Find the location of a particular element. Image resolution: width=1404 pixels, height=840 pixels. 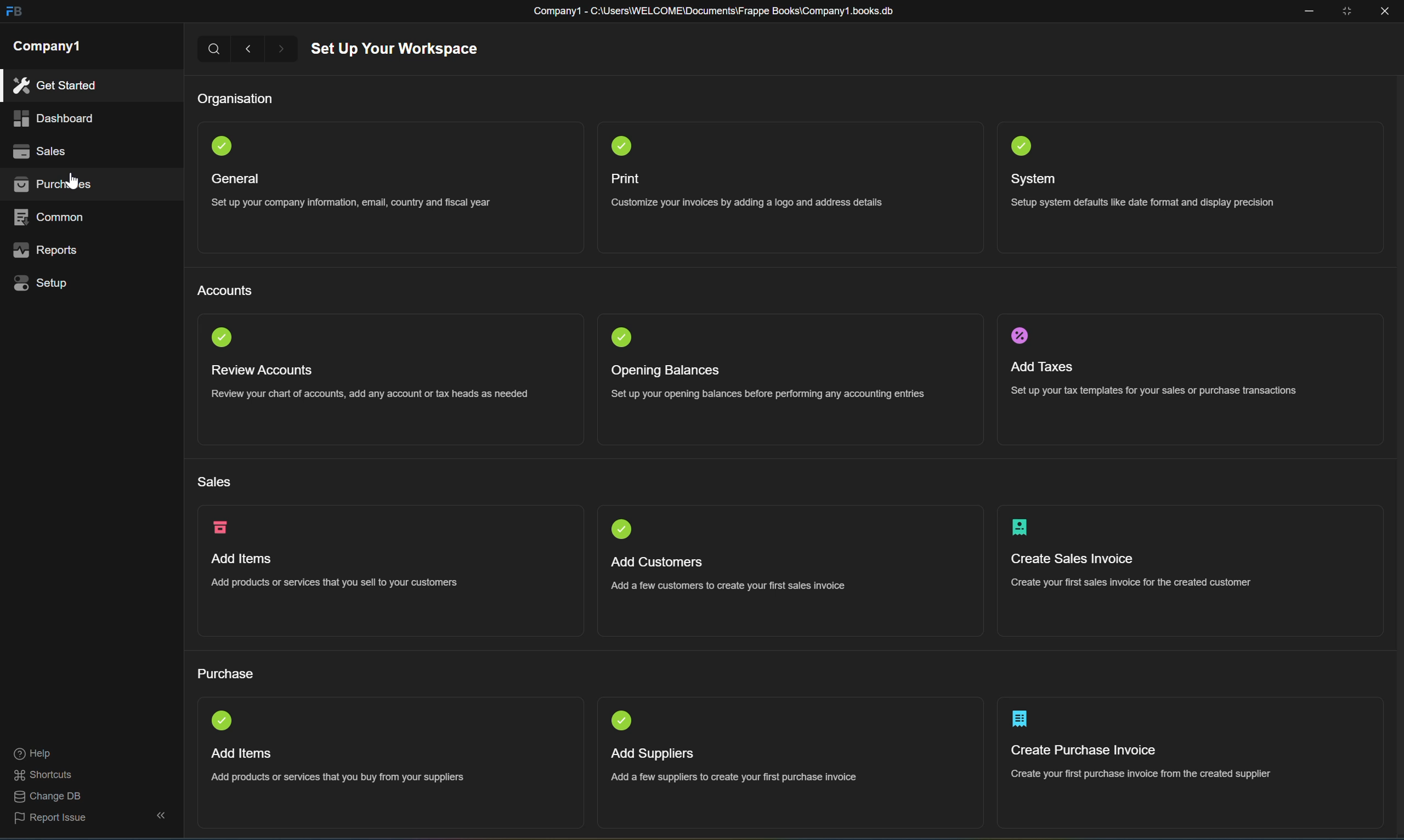

Accounts is located at coordinates (226, 290).